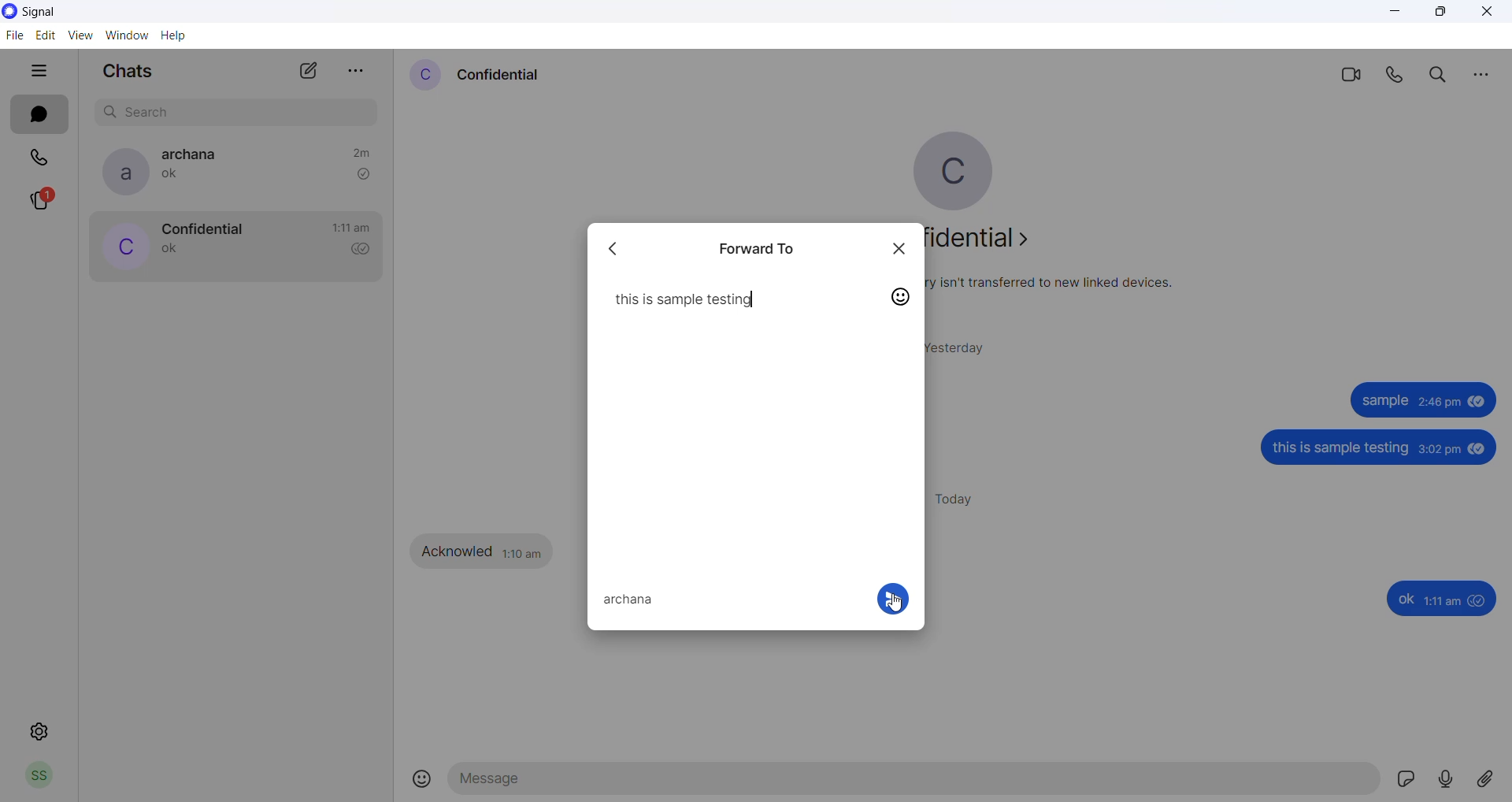 This screenshot has height=802, width=1512. Describe the element at coordinates (1343, 450) in the screenshot. I see `this is sample testing` at that location.